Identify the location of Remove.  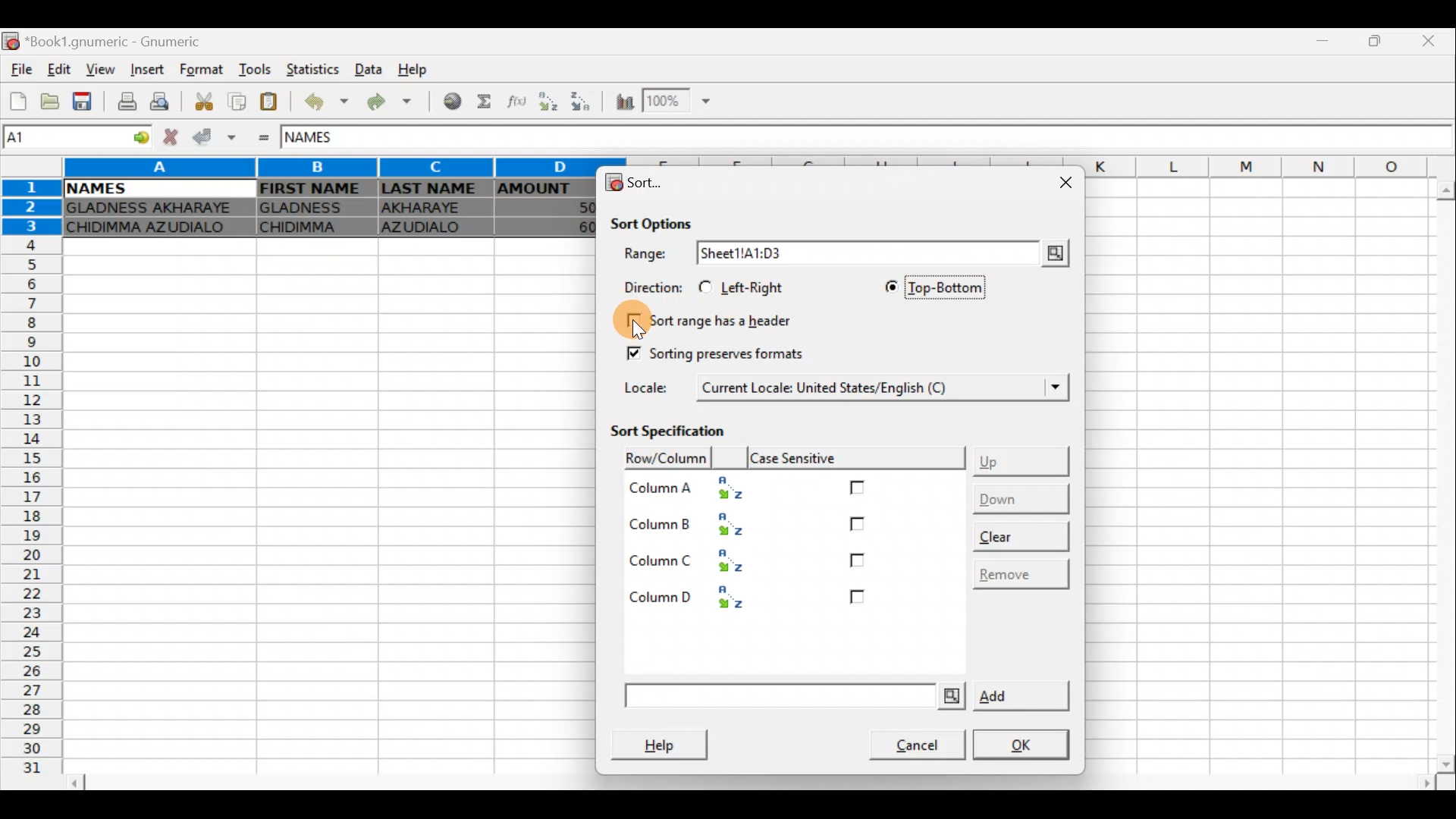
(1018, 573).